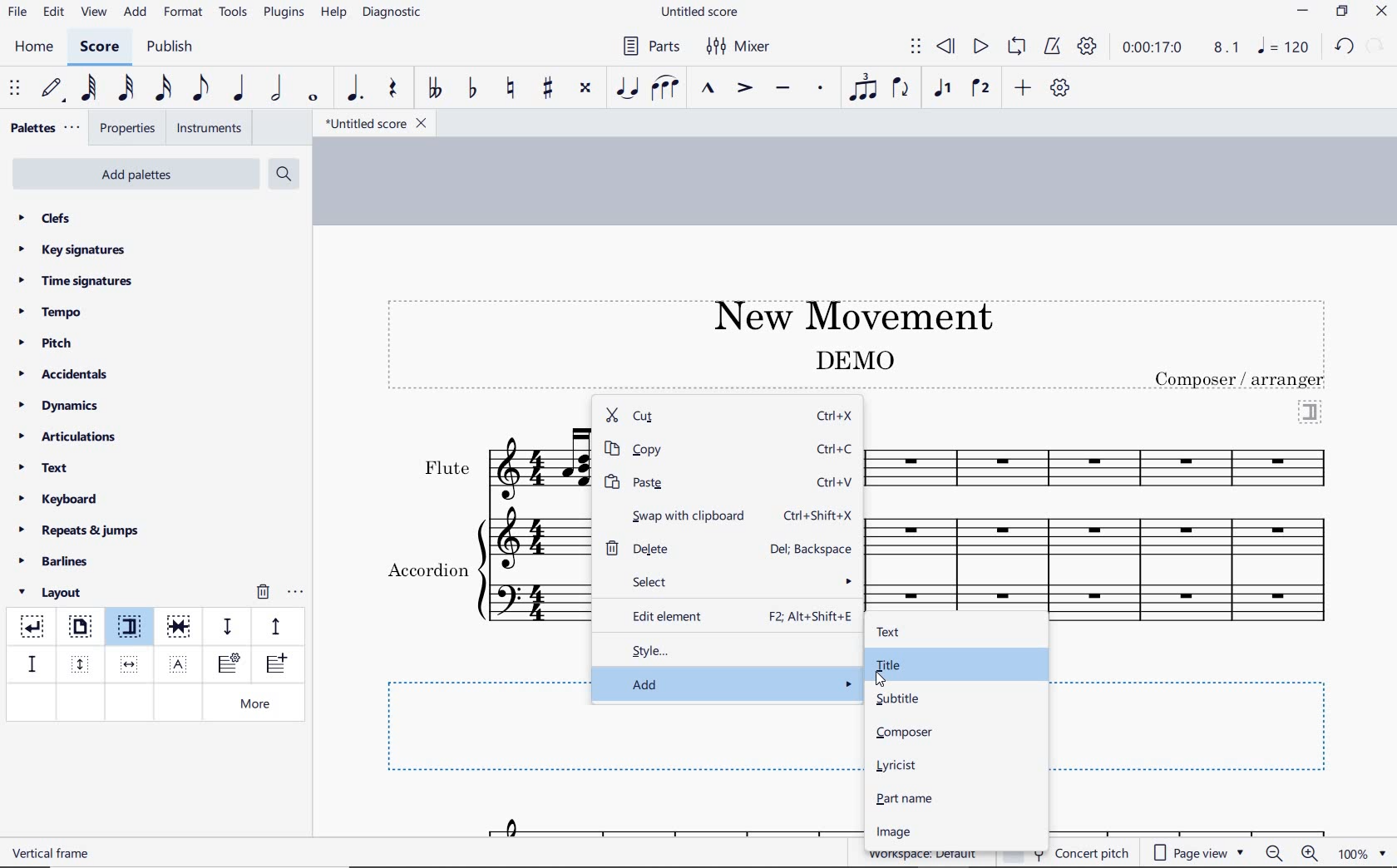 The height and width of the screenshot is (868, 1397). I want to click on Playback speed, so click(1228, 48).